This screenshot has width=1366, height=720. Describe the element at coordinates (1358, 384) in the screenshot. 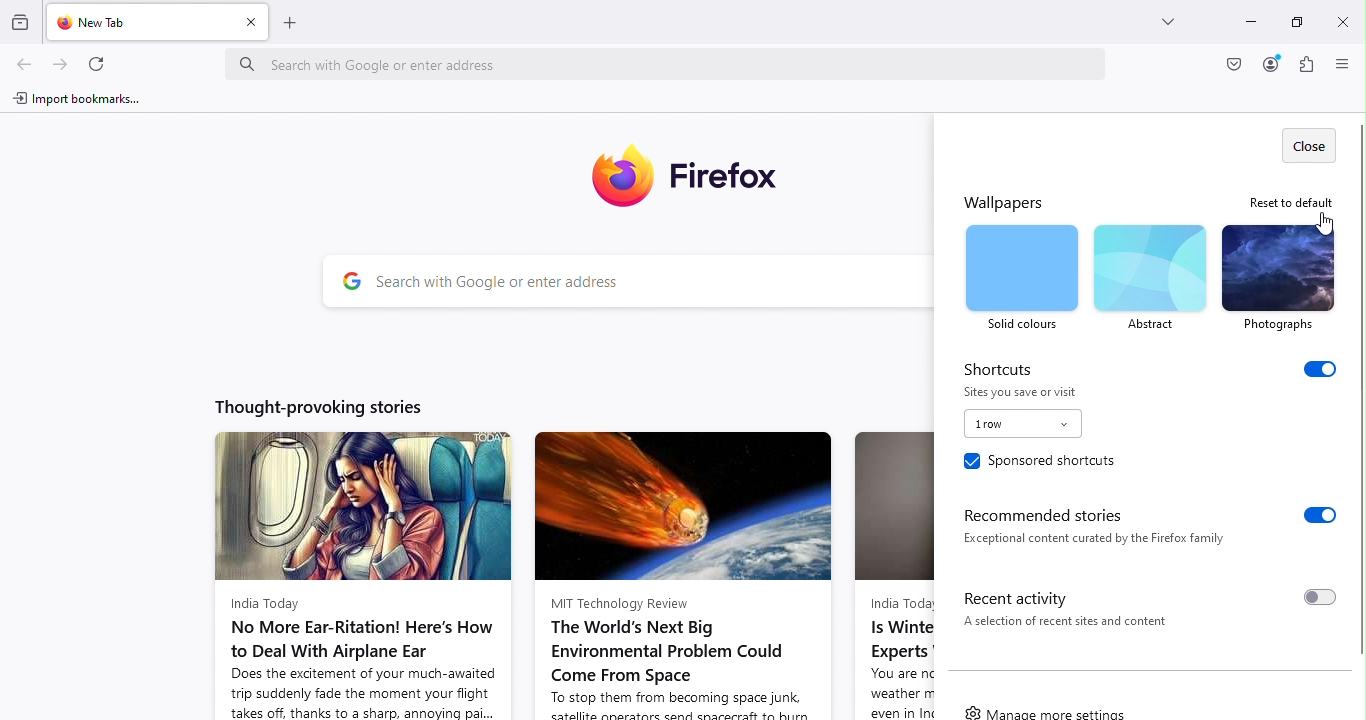

I see `Scroll bar` at that location.